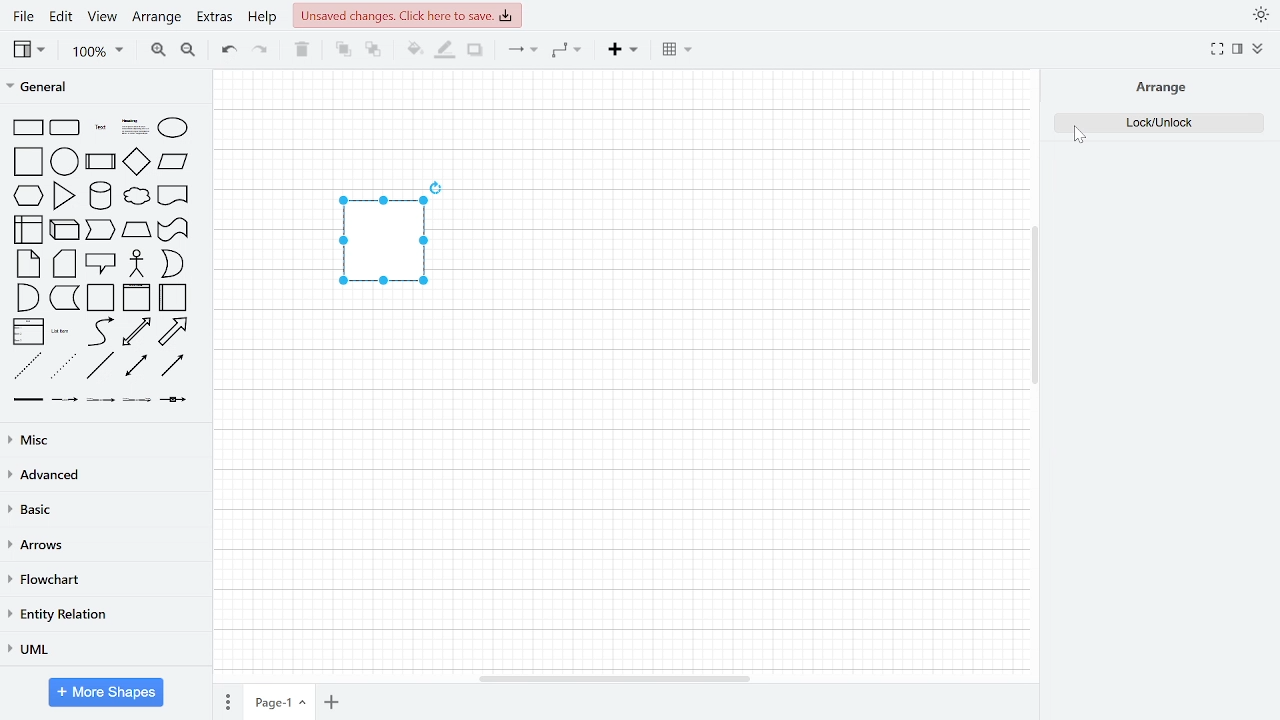 This screenshot has width=1280, height=720. I want to click on arrows, so click(102, 545).